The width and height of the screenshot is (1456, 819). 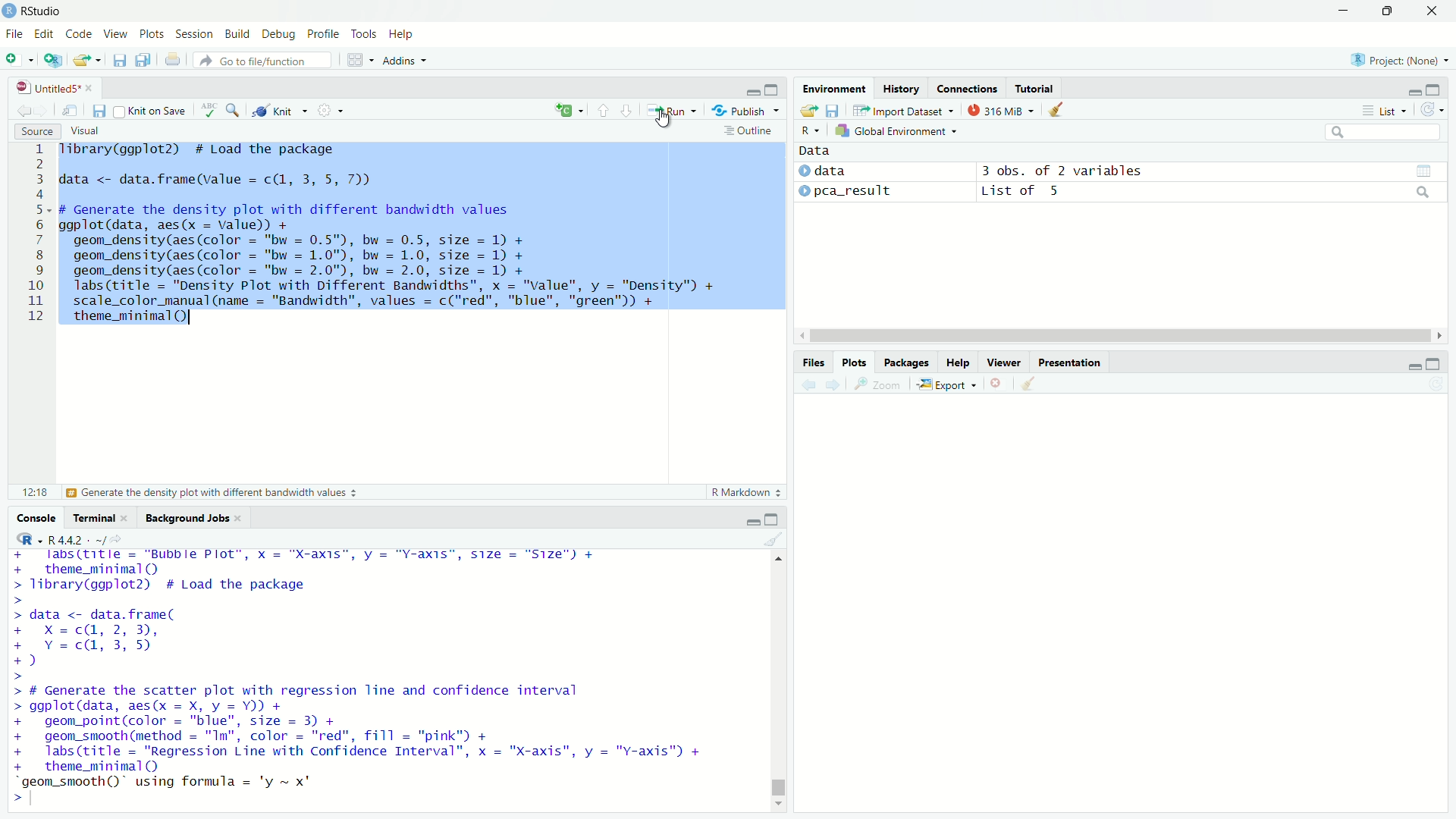 I want to click on Remove current plot, so click(x=999, y=384).